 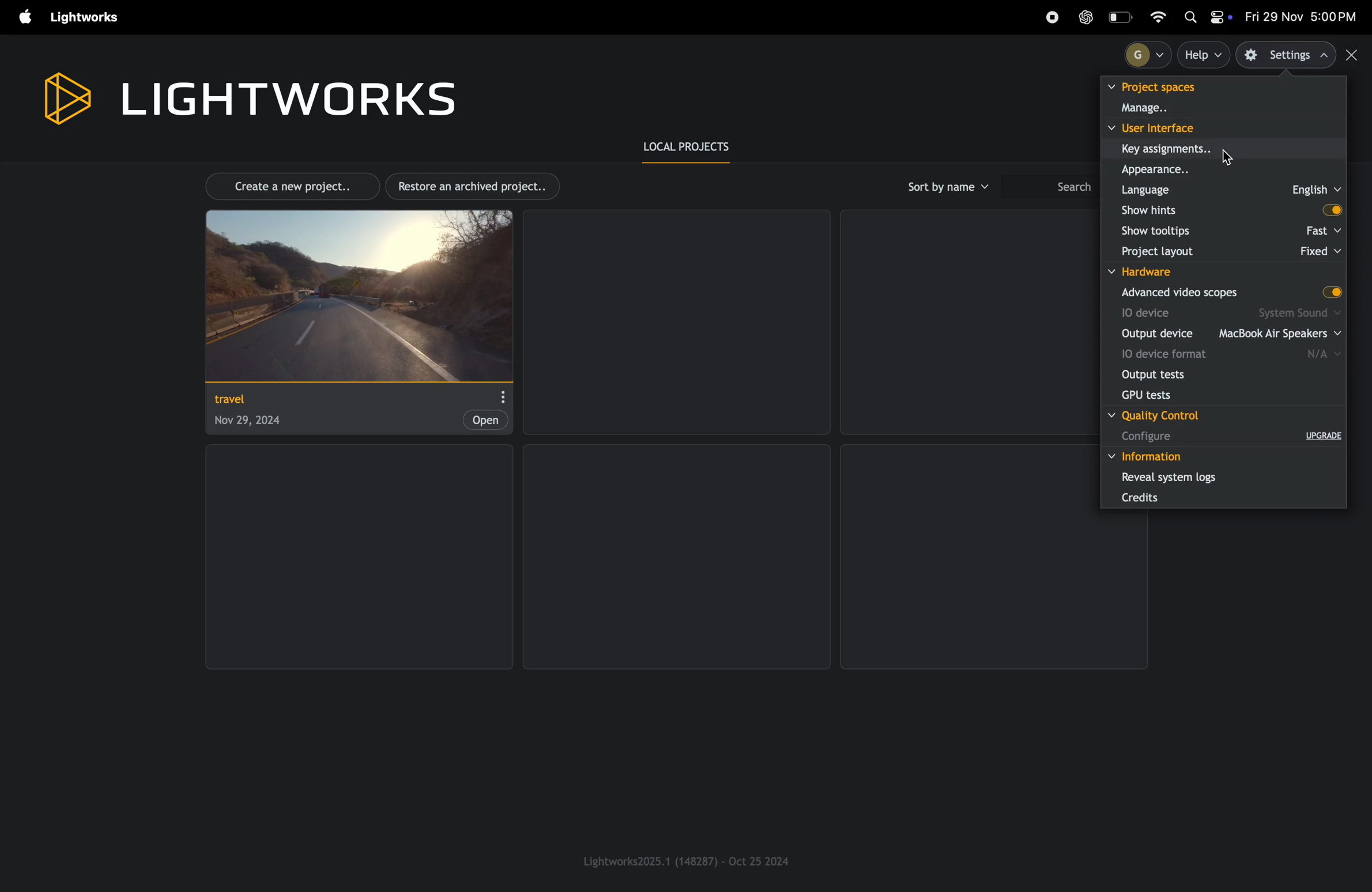 What do you see at coordinates (1086, 17) in the screenshot?
I see `chatgpt` at bounding box center [1086, 17].